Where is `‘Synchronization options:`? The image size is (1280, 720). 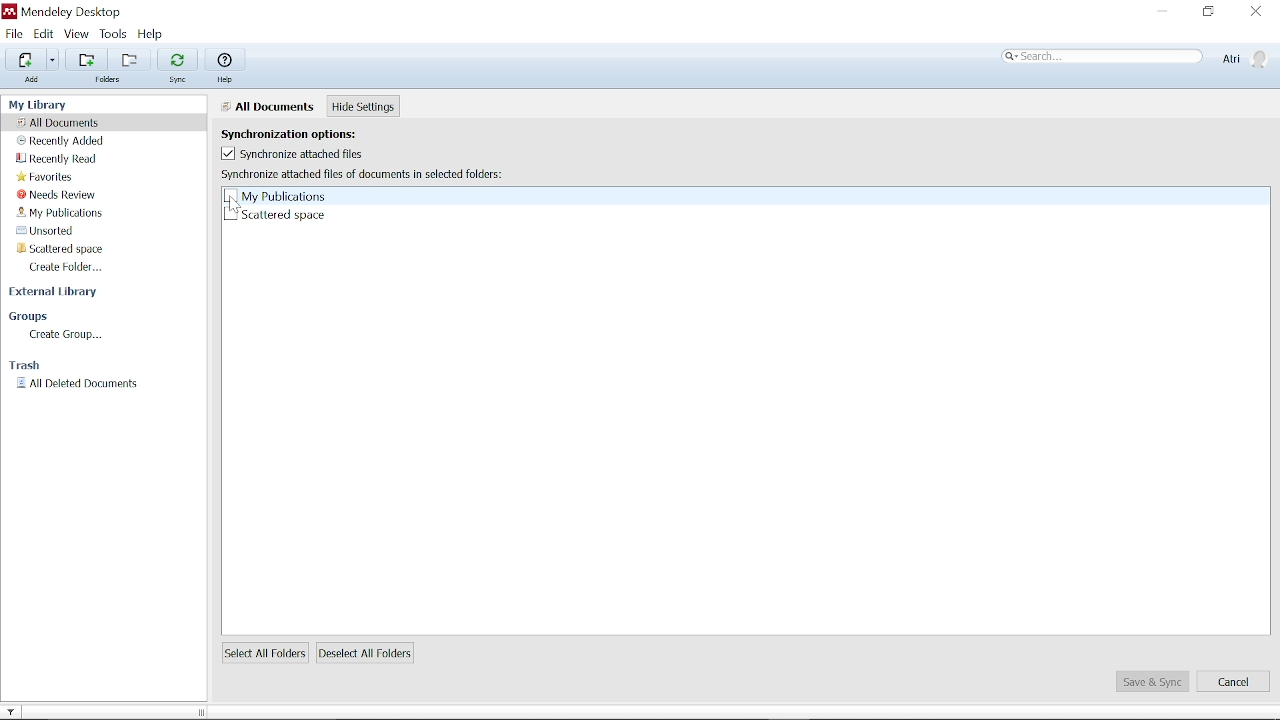 ‘Synchronization options: is located at coordinates (300, 132).